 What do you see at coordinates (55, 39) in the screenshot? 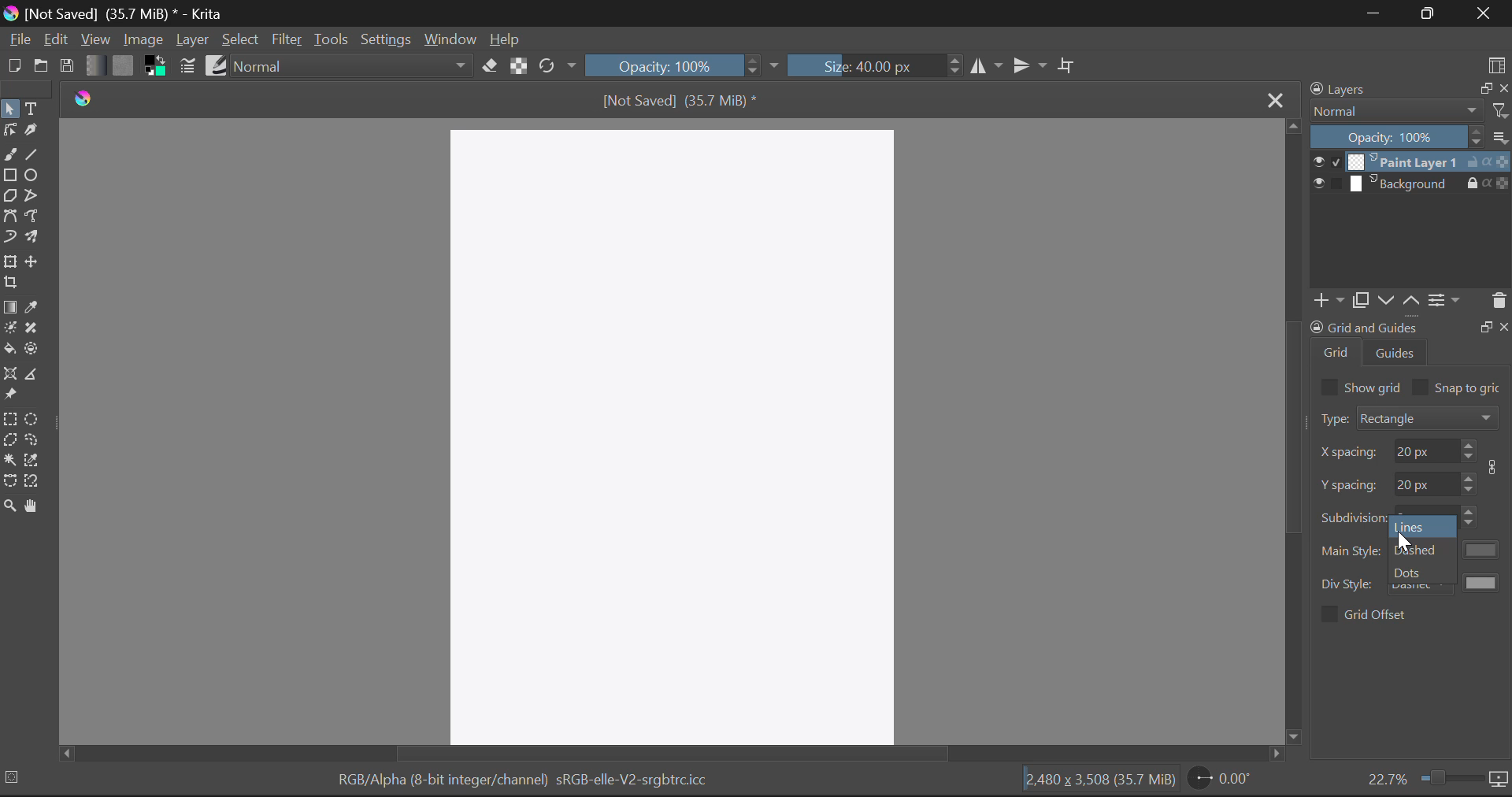
I see `Edit` at bounding box center [55, 39].